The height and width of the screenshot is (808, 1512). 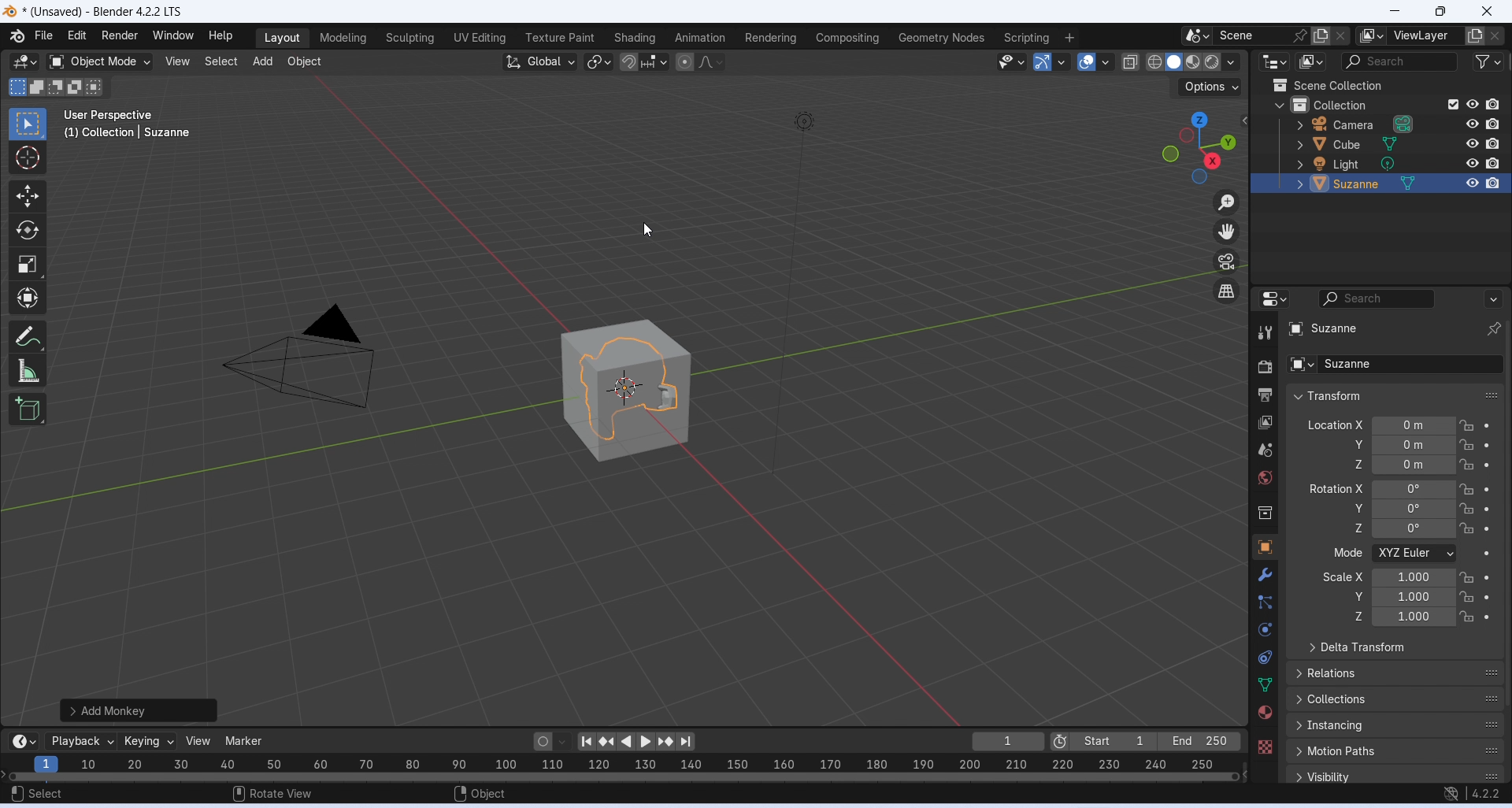 What do you see at coordinates (1198, 741) in the screenshot?
I see `End 250` at bounding box center [1198, 741].